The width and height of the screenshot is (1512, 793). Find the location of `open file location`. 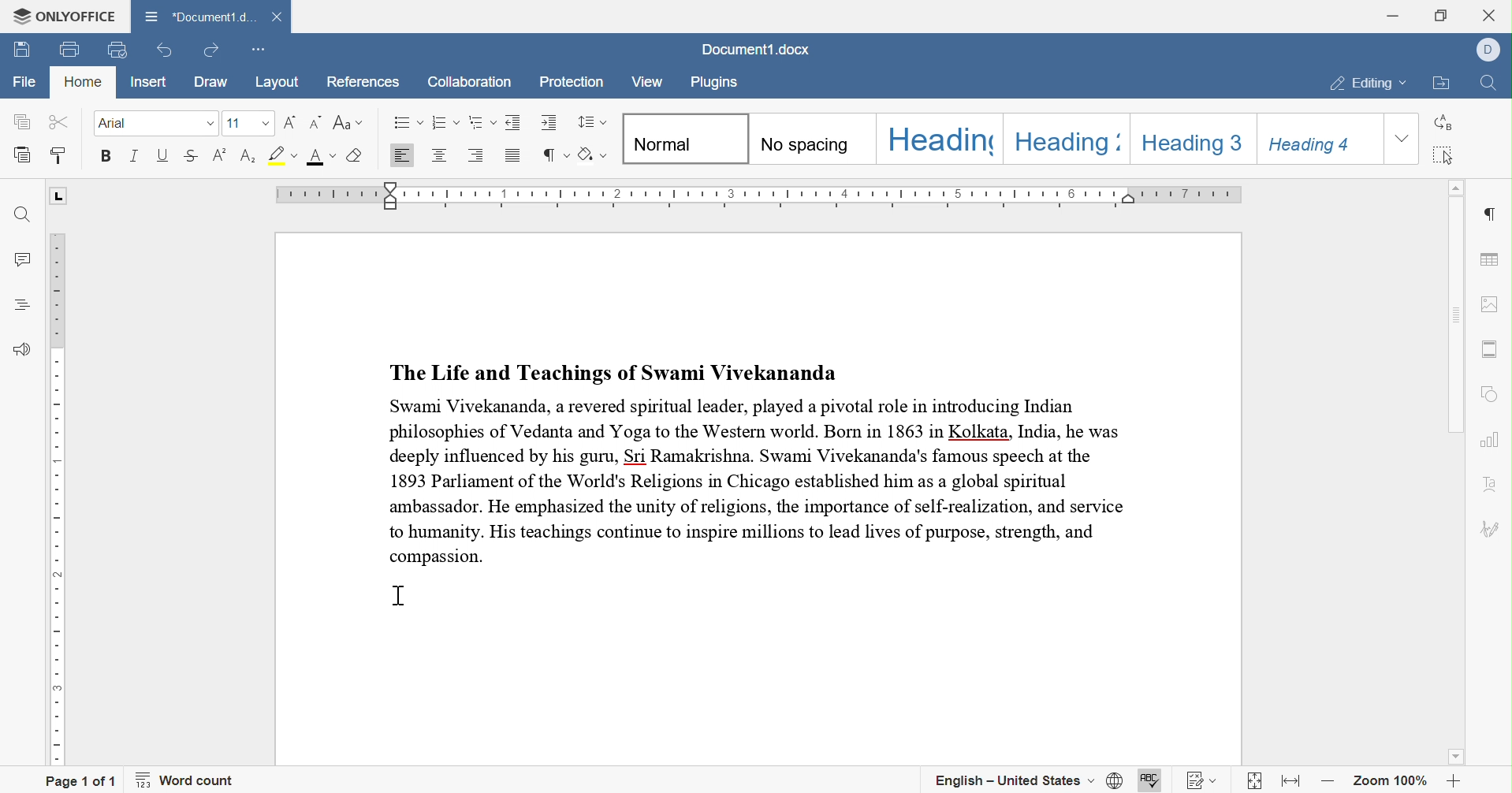

open file location is located at coordinates (1443, 84).